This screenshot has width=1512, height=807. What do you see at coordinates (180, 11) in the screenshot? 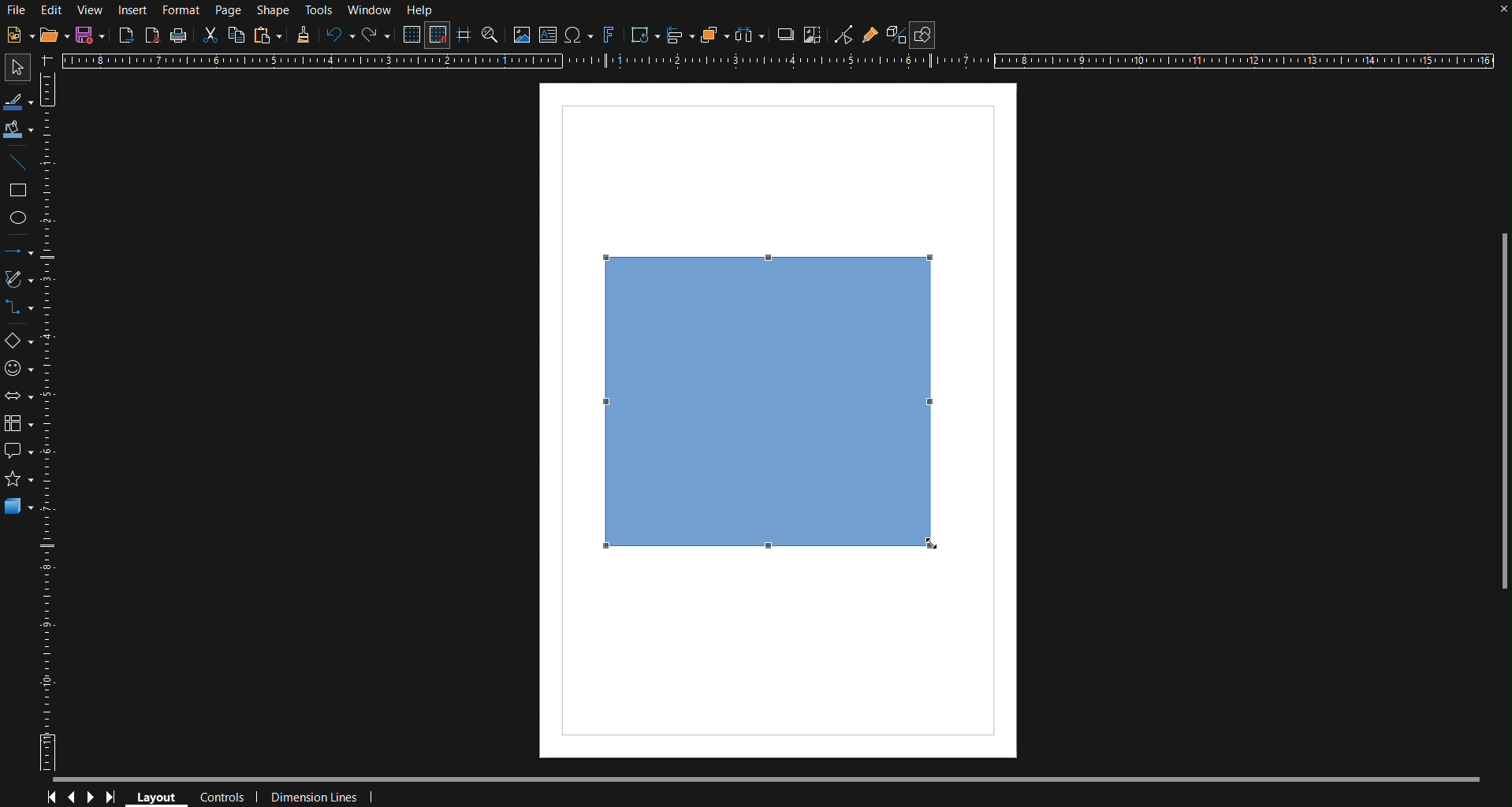
I see `Format` at bounding box center [180, 11].